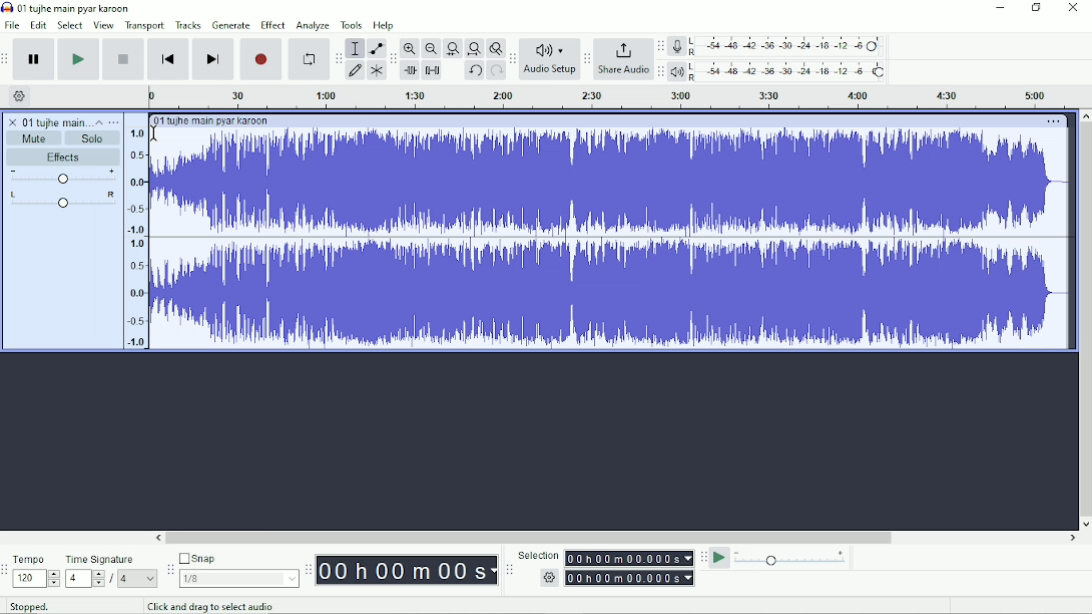  I want to click on Selection tool, so click(355, 48).